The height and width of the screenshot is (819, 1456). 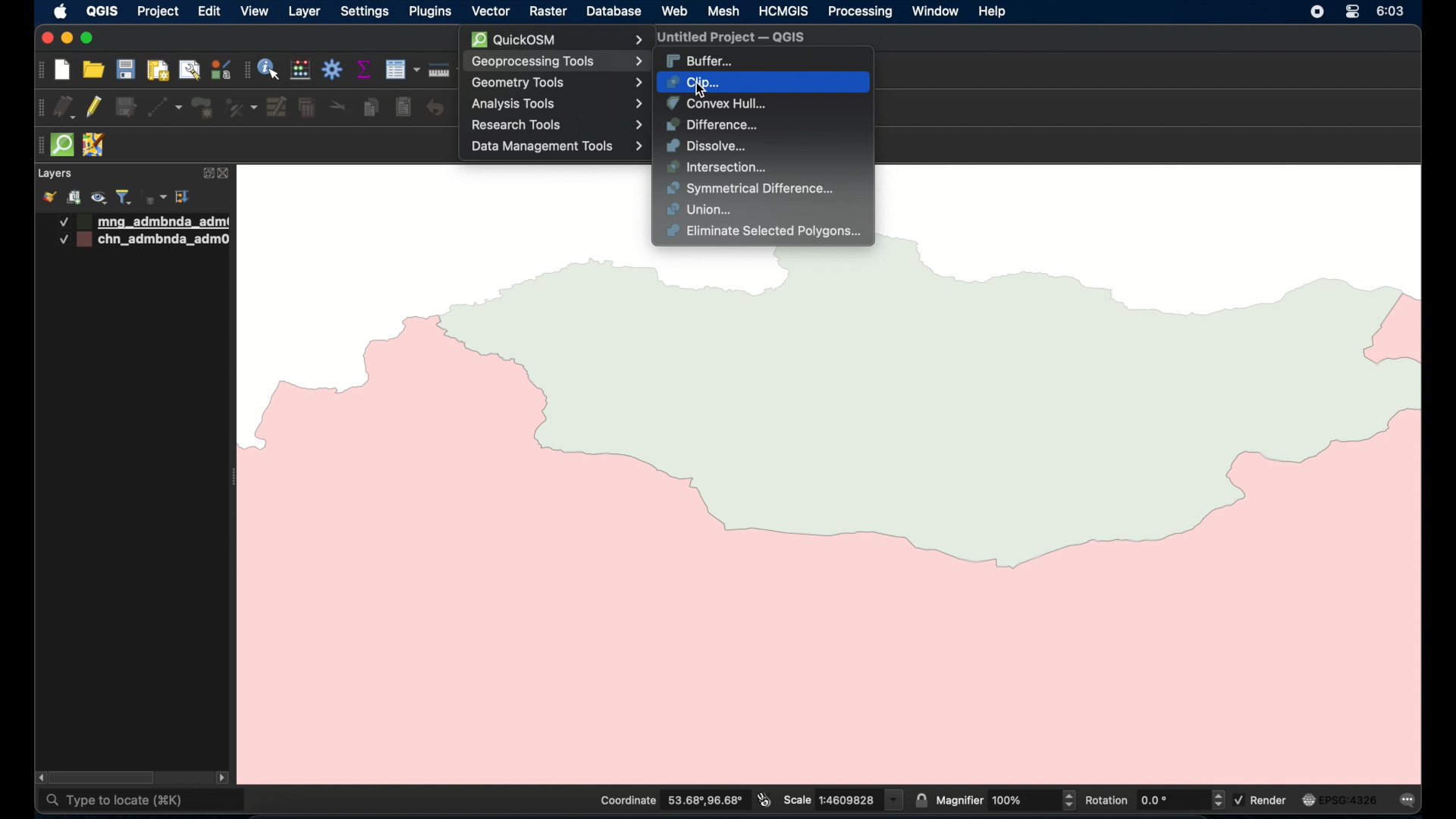 I want to click on add polygon, so click(x=204, y=108).